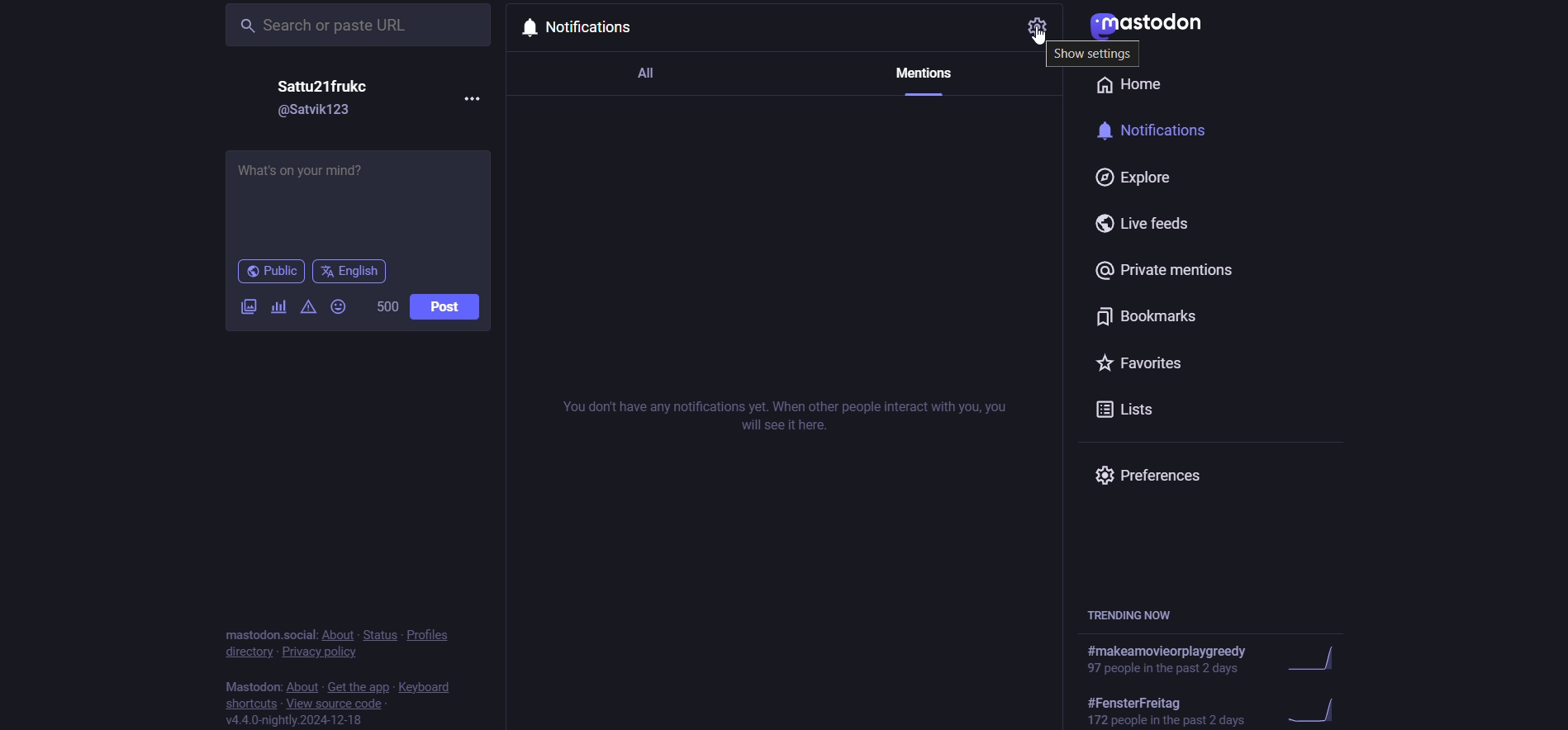 The image size is (1568, 730). Describe the element at coordinates (1133, 409) in the screenshot. I see `Lists` at that location.